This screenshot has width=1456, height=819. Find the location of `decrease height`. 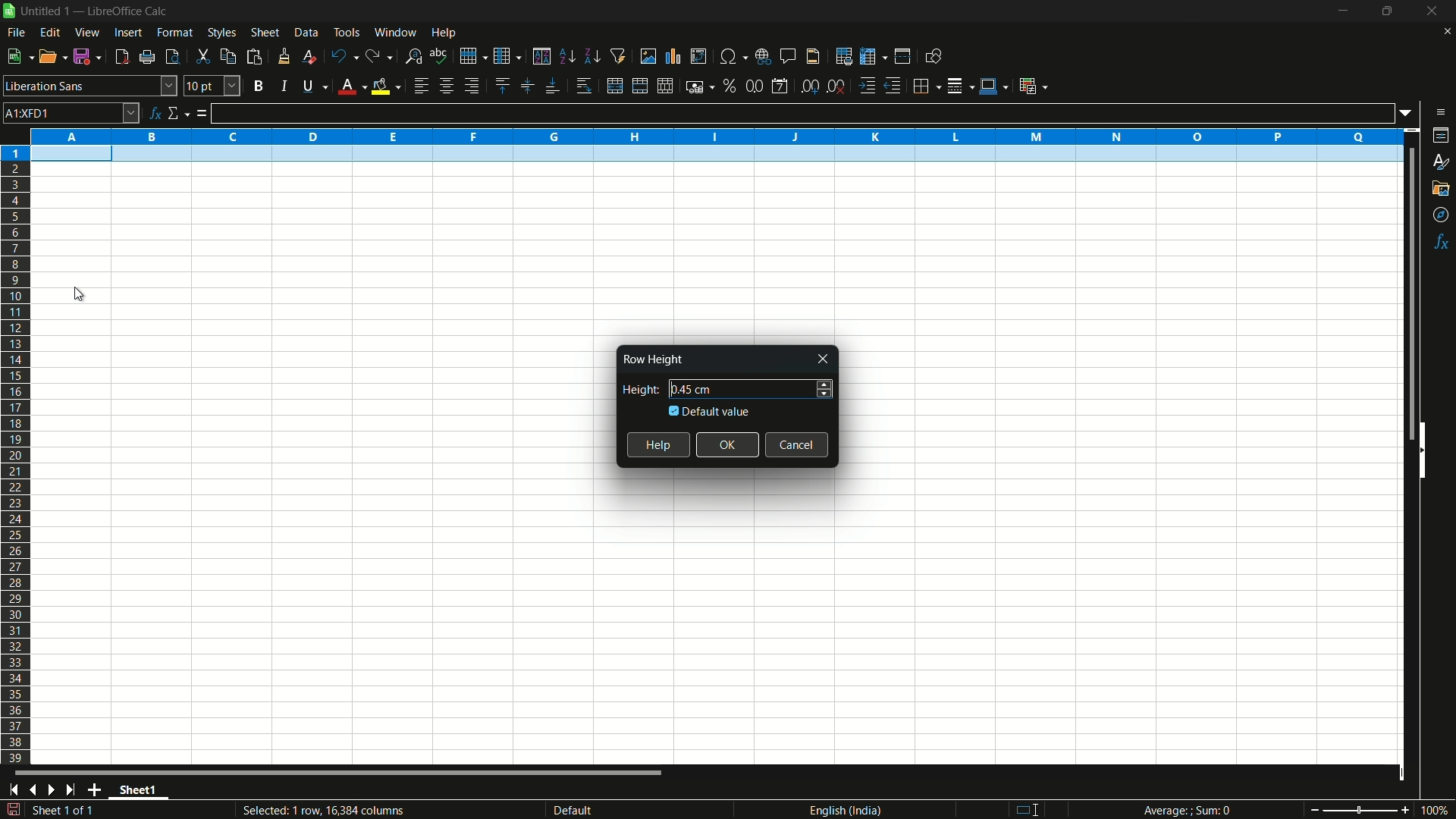

decrease height is located at coordinates (824, 395).